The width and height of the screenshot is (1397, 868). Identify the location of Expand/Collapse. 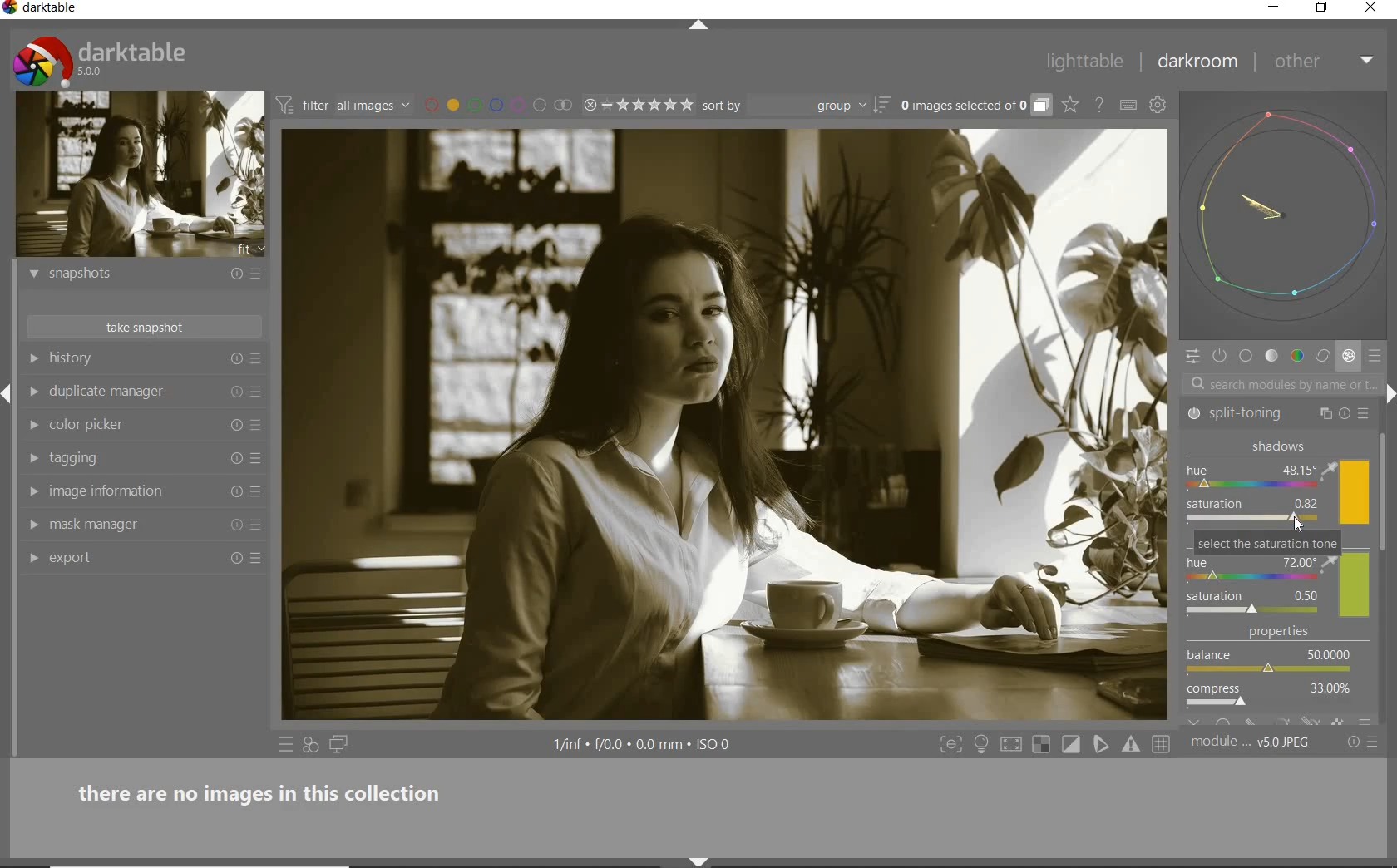
(8, 389).